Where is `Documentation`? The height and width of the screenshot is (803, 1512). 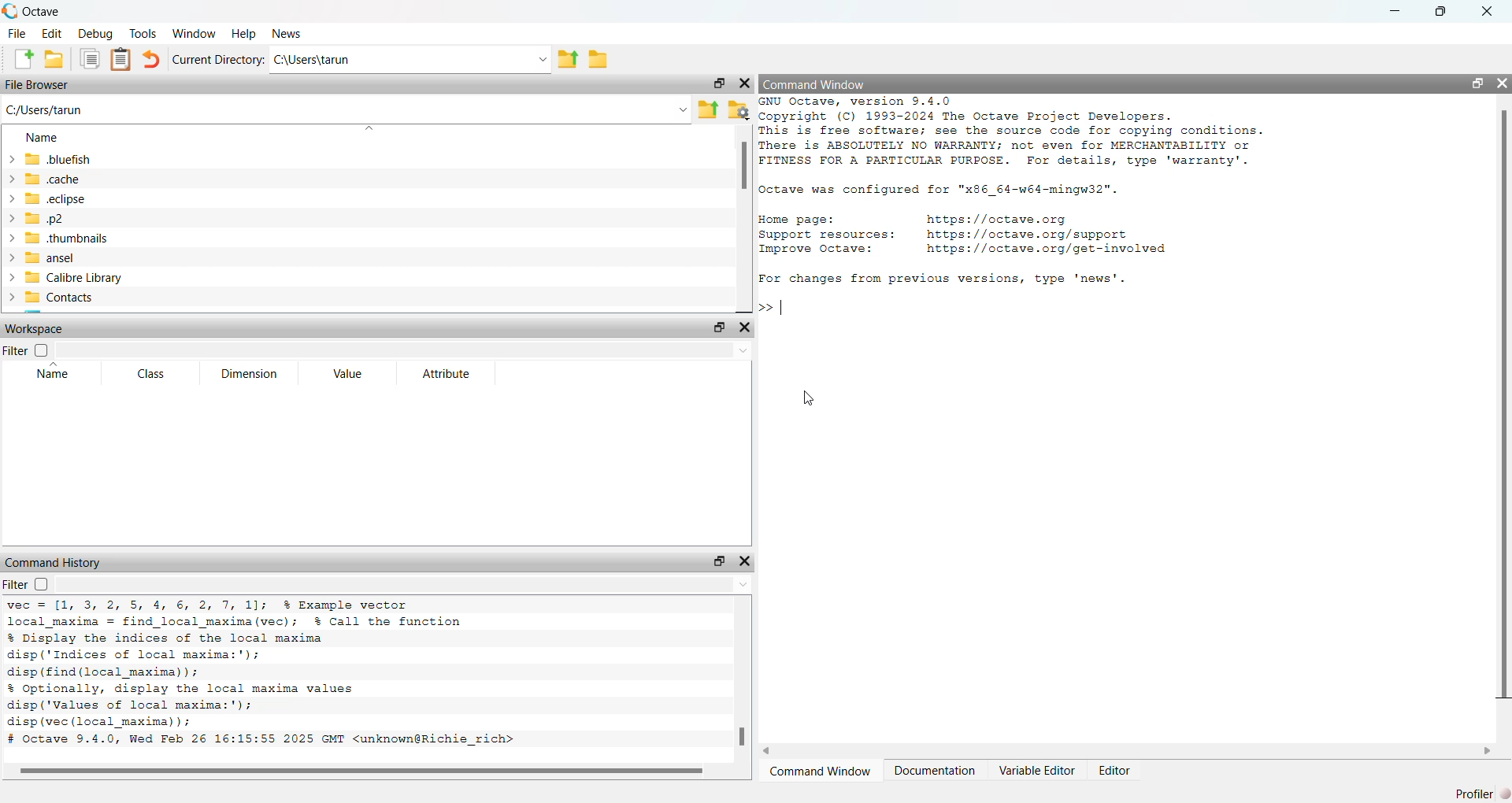
Documentation is located at coordinates (935, 771).